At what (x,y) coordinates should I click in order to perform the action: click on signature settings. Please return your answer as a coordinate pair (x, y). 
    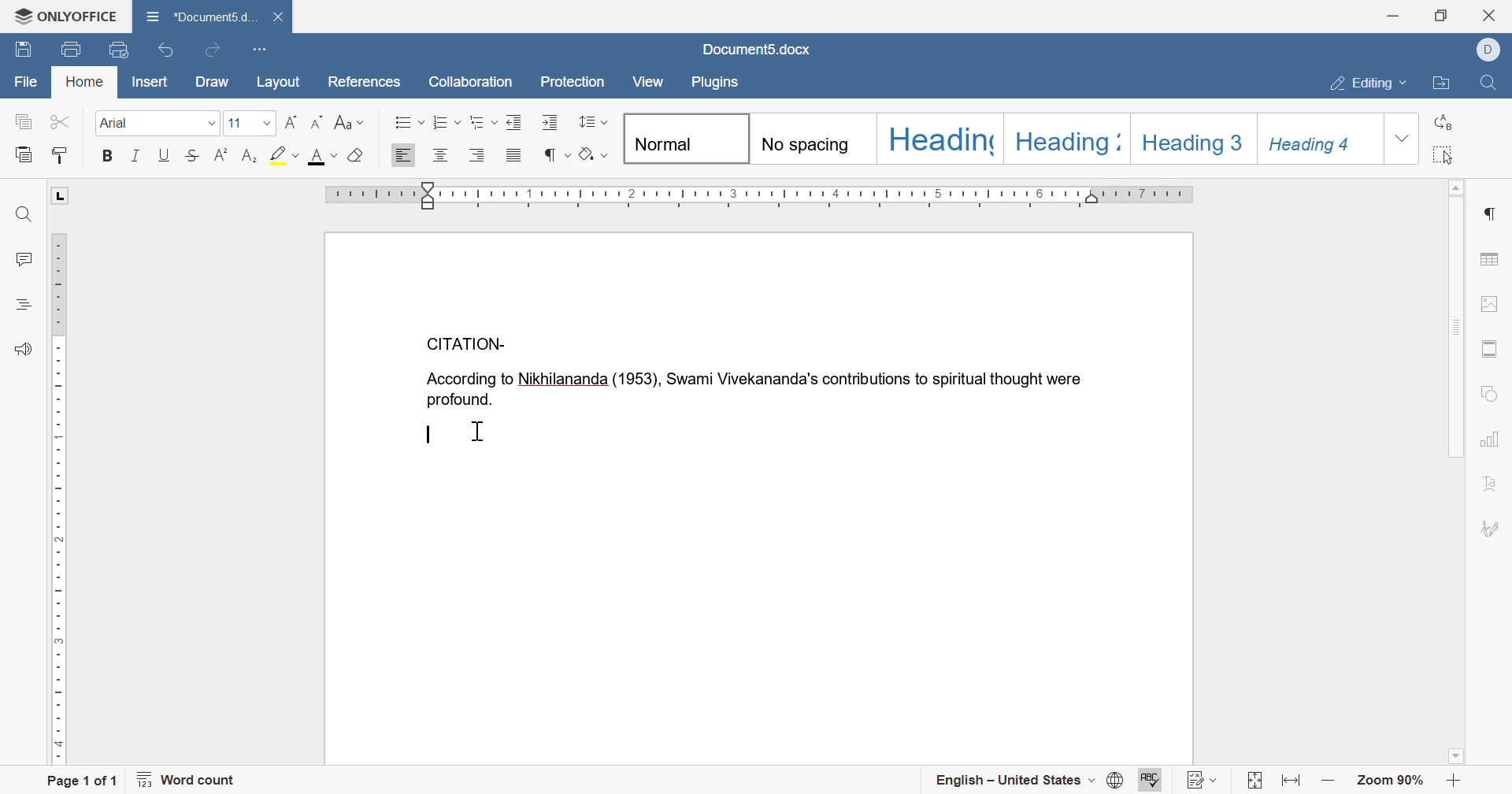
    Looking at the image, I should click on (1491, 530).